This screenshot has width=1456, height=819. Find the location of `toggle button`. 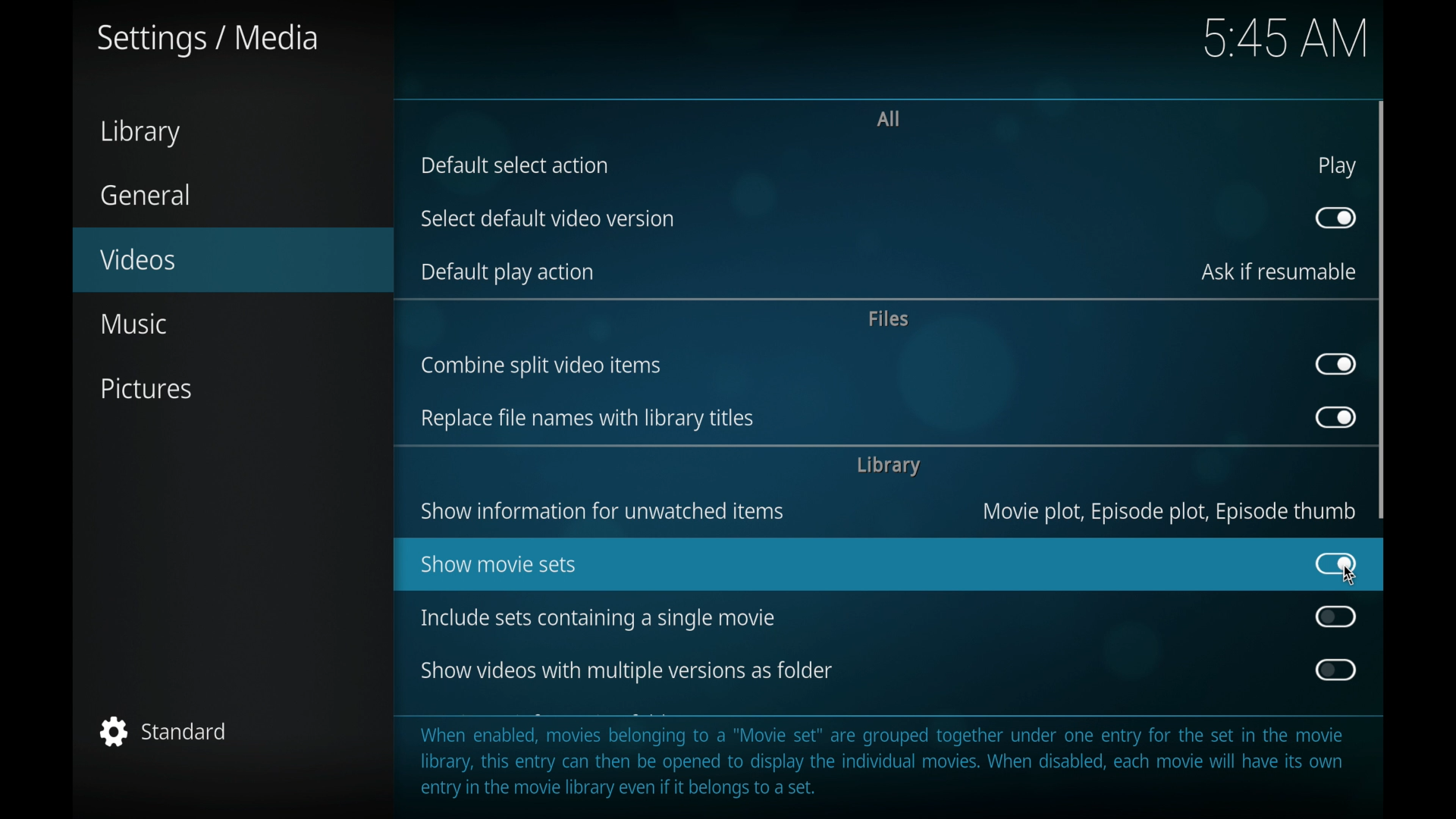

toggle button is located at coordinates (1336, 617).